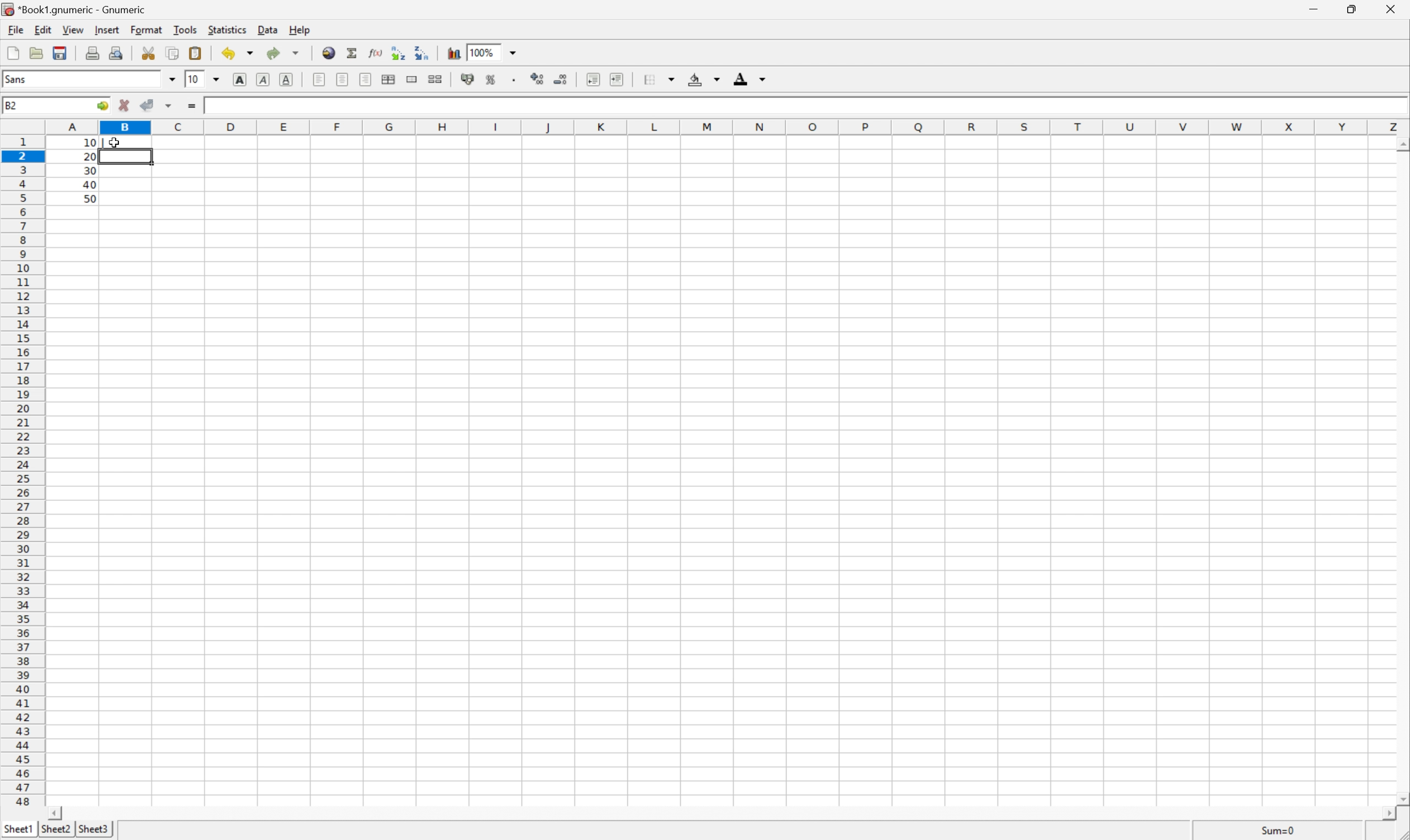  What do you see at coordinates (192, 106) in the screenshot?
I see `Enter formula` at bounding box center [192, 106].